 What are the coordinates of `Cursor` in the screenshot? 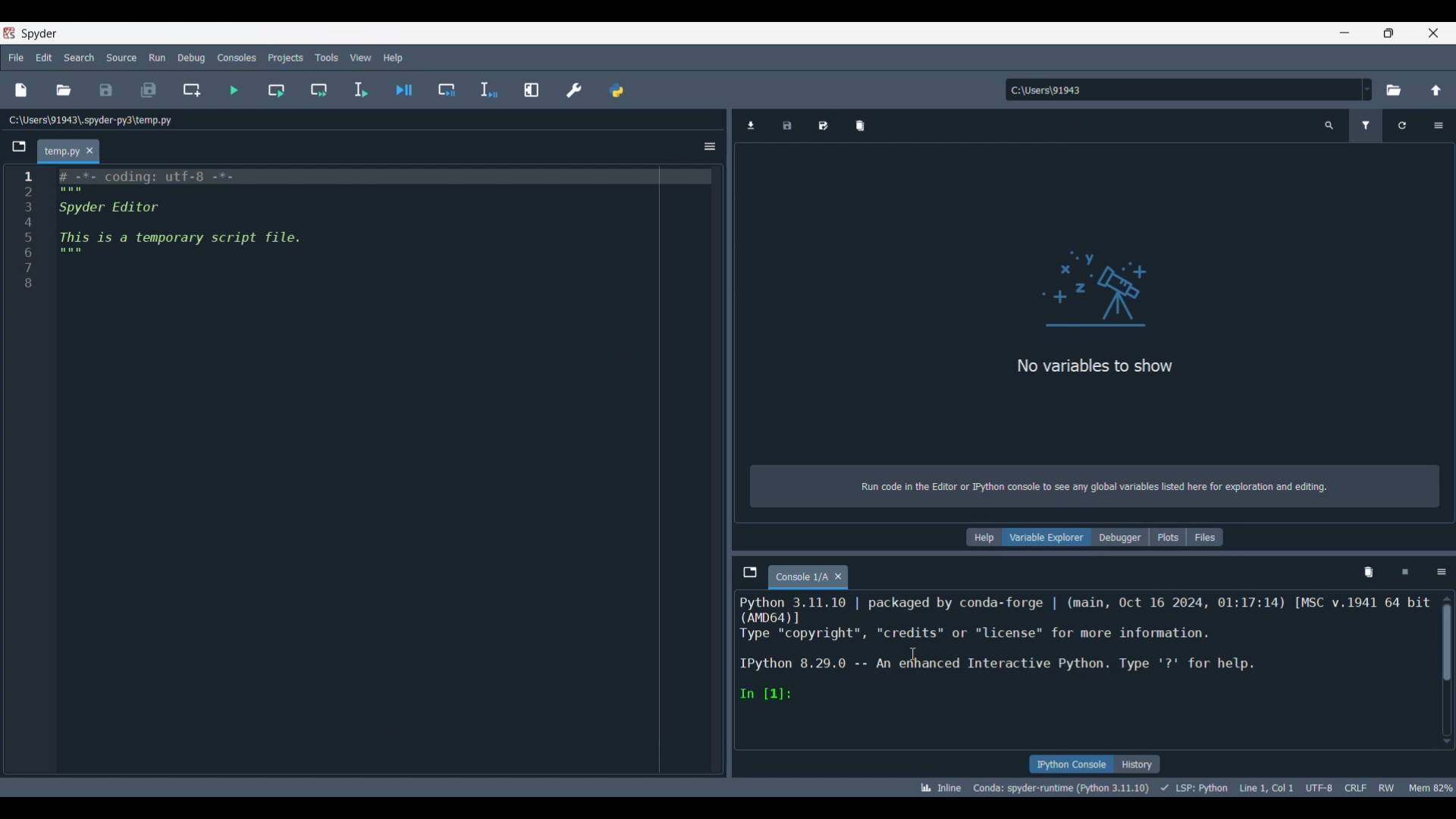 It's located at (573, 109).